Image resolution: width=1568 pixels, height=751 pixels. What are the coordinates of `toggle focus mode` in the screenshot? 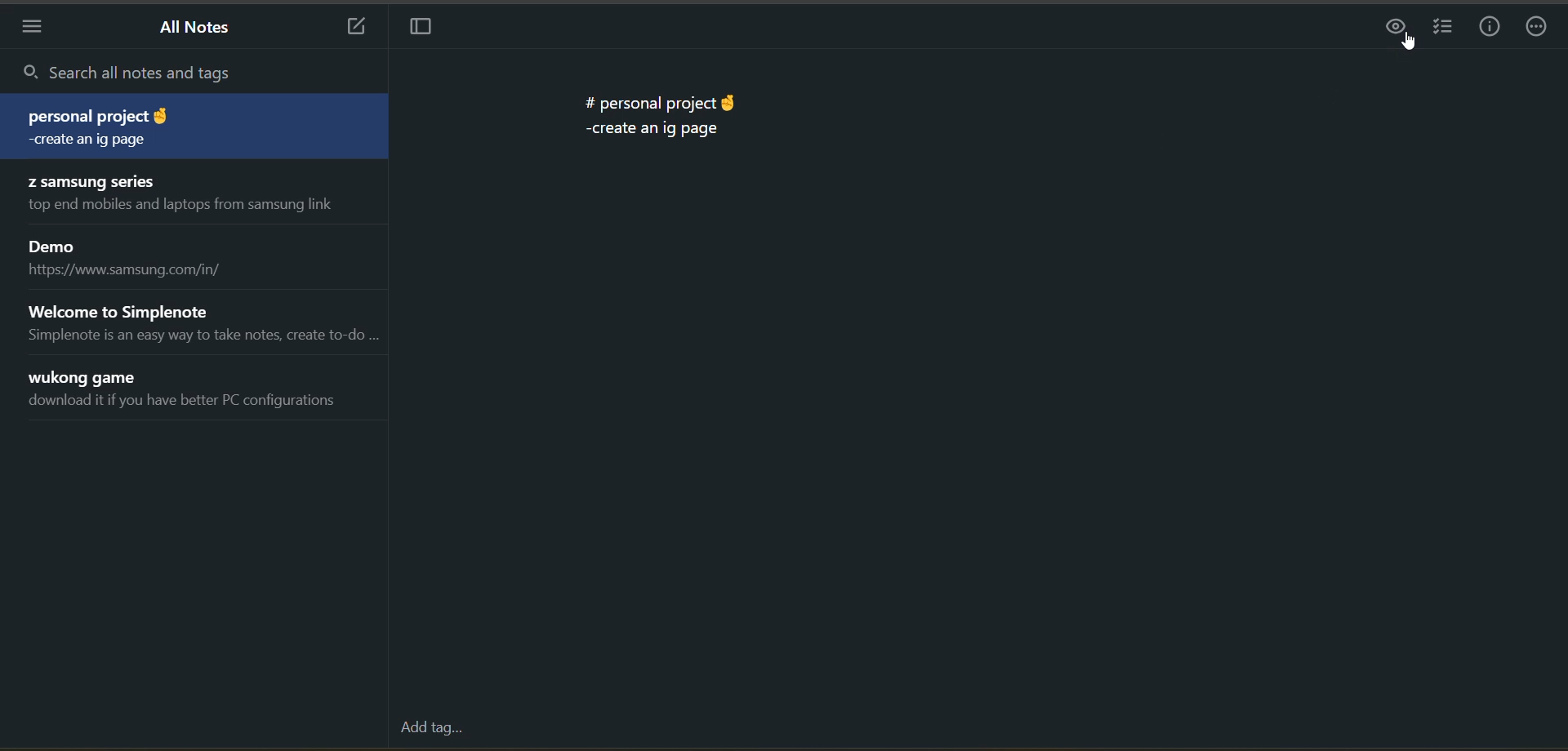 It's located at (422, 29).